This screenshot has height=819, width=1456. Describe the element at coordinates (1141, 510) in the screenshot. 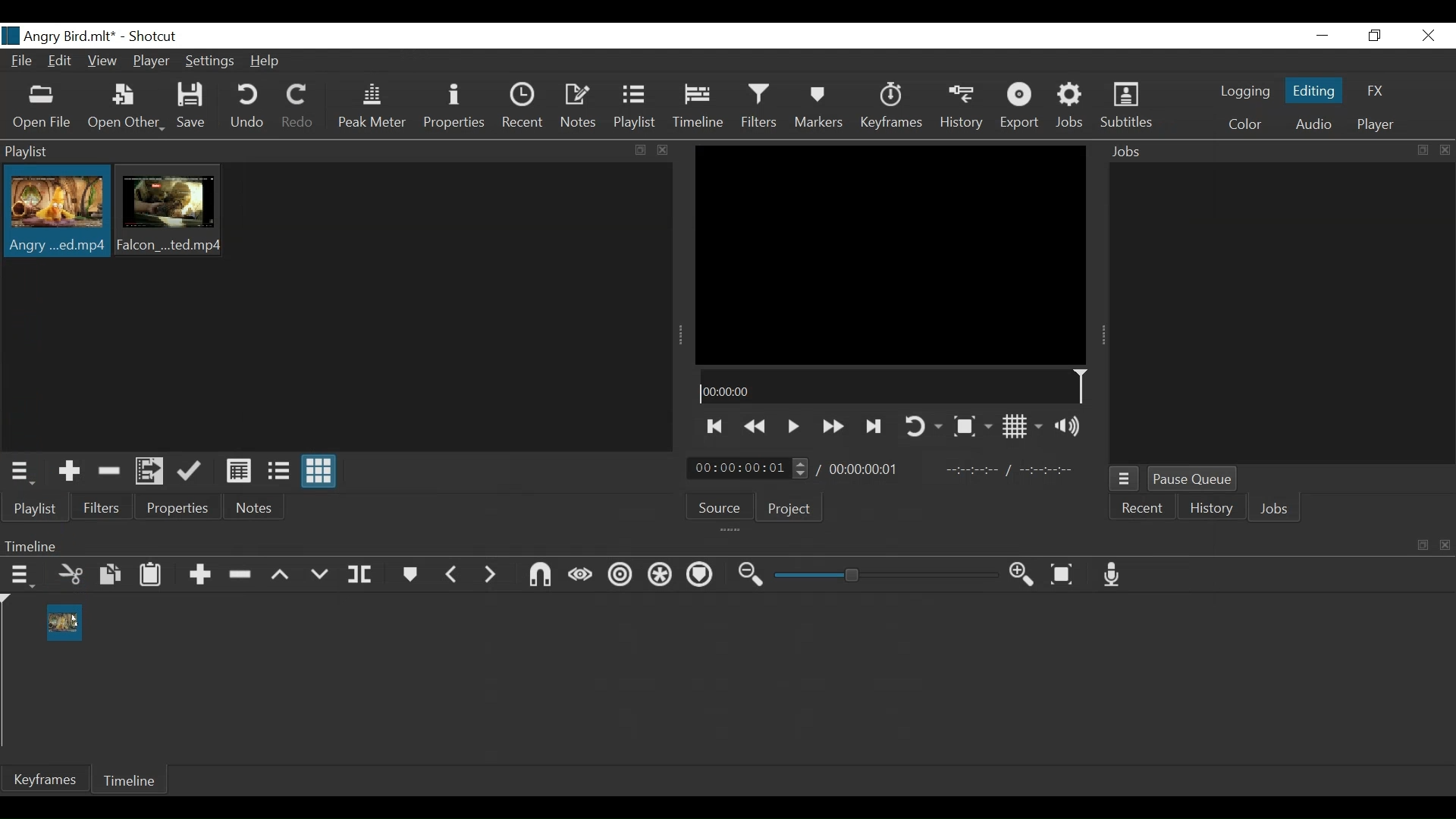

I see `Recent` at that location.